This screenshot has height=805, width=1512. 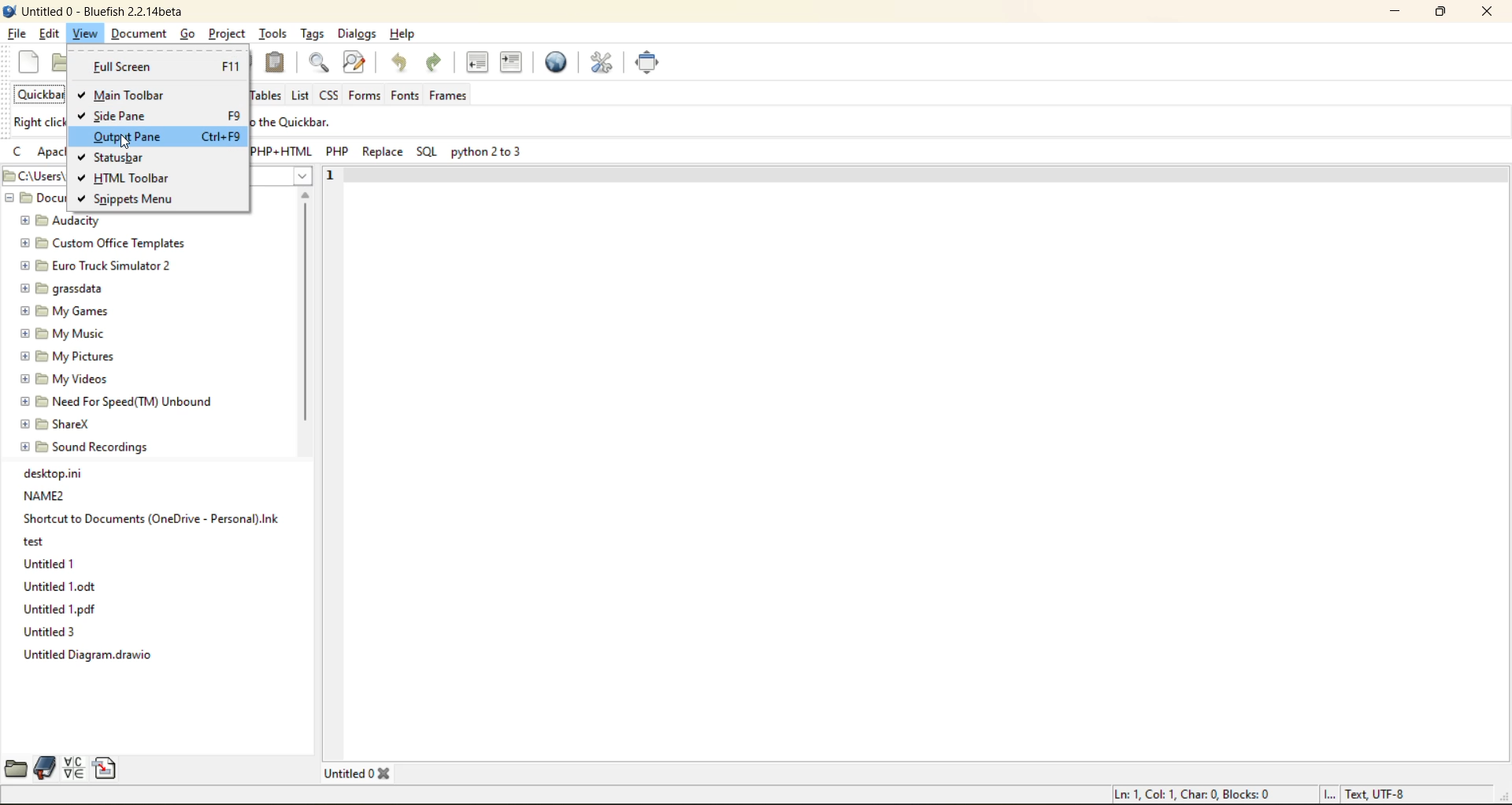 I want to click on Untitled 3, so click(x=51, y=630).